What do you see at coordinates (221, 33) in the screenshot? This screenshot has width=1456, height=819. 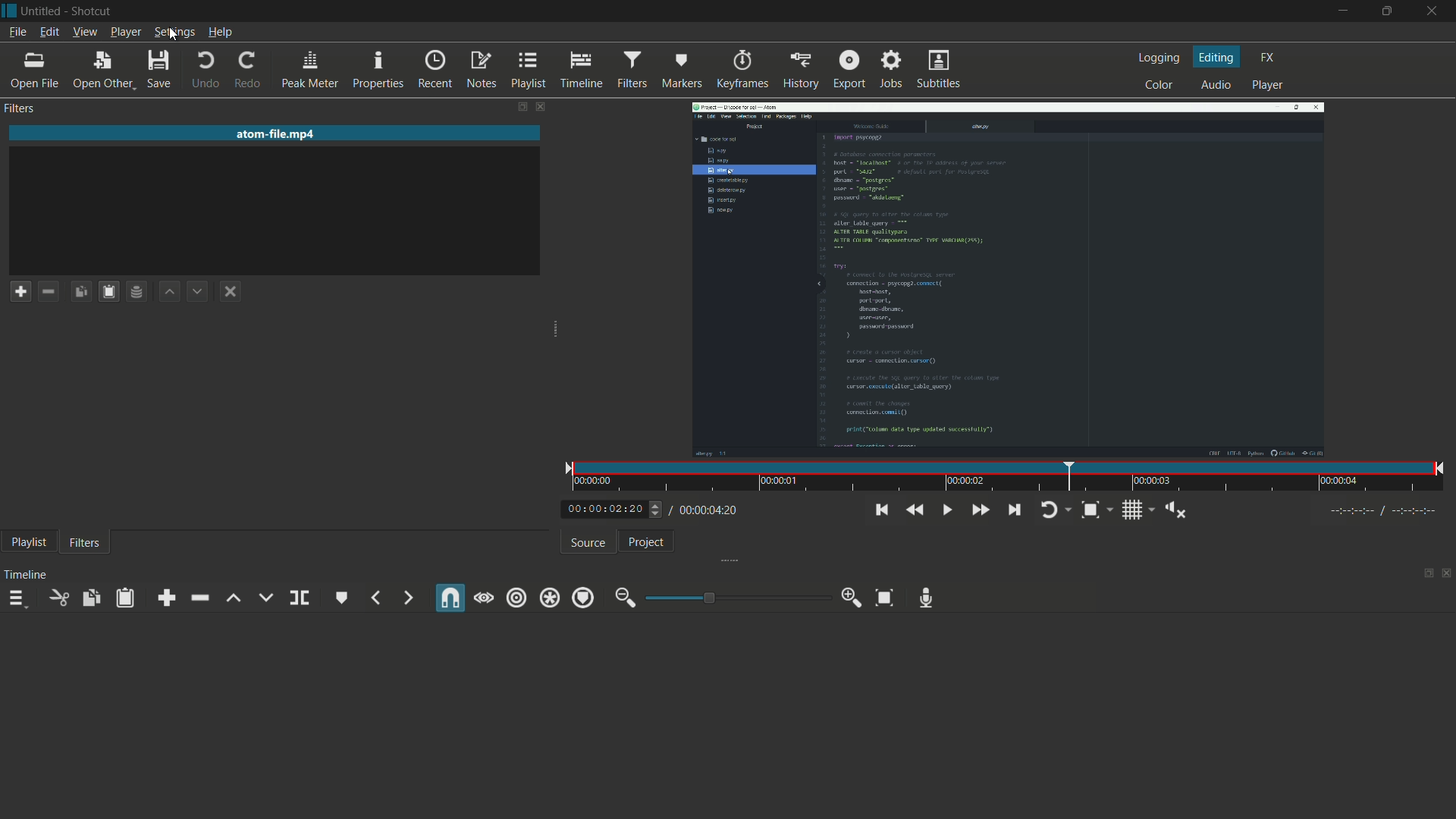 I see `help menu` at bounding box center [221, 33].